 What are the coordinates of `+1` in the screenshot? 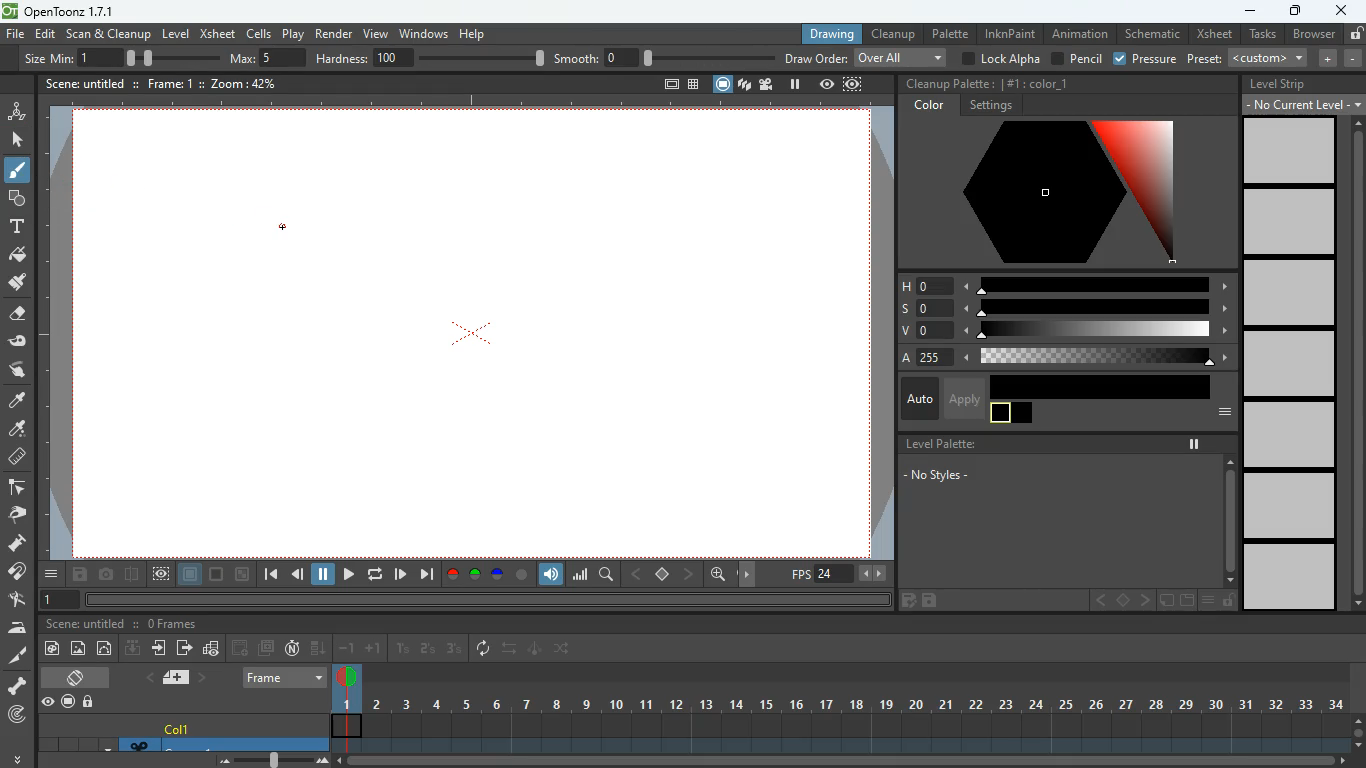 It's located at (374, 649).